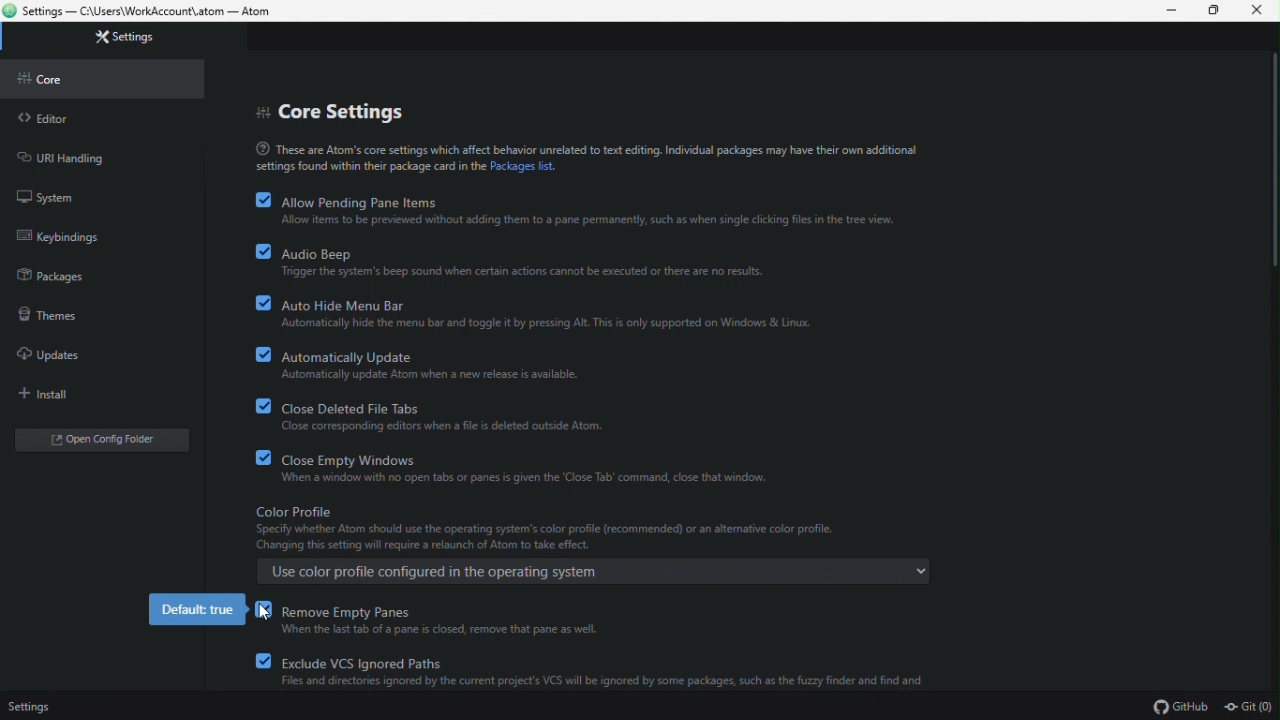  Describe the element at coordinates (259, 617) in the screenshot. I see `Cursor` at that location.